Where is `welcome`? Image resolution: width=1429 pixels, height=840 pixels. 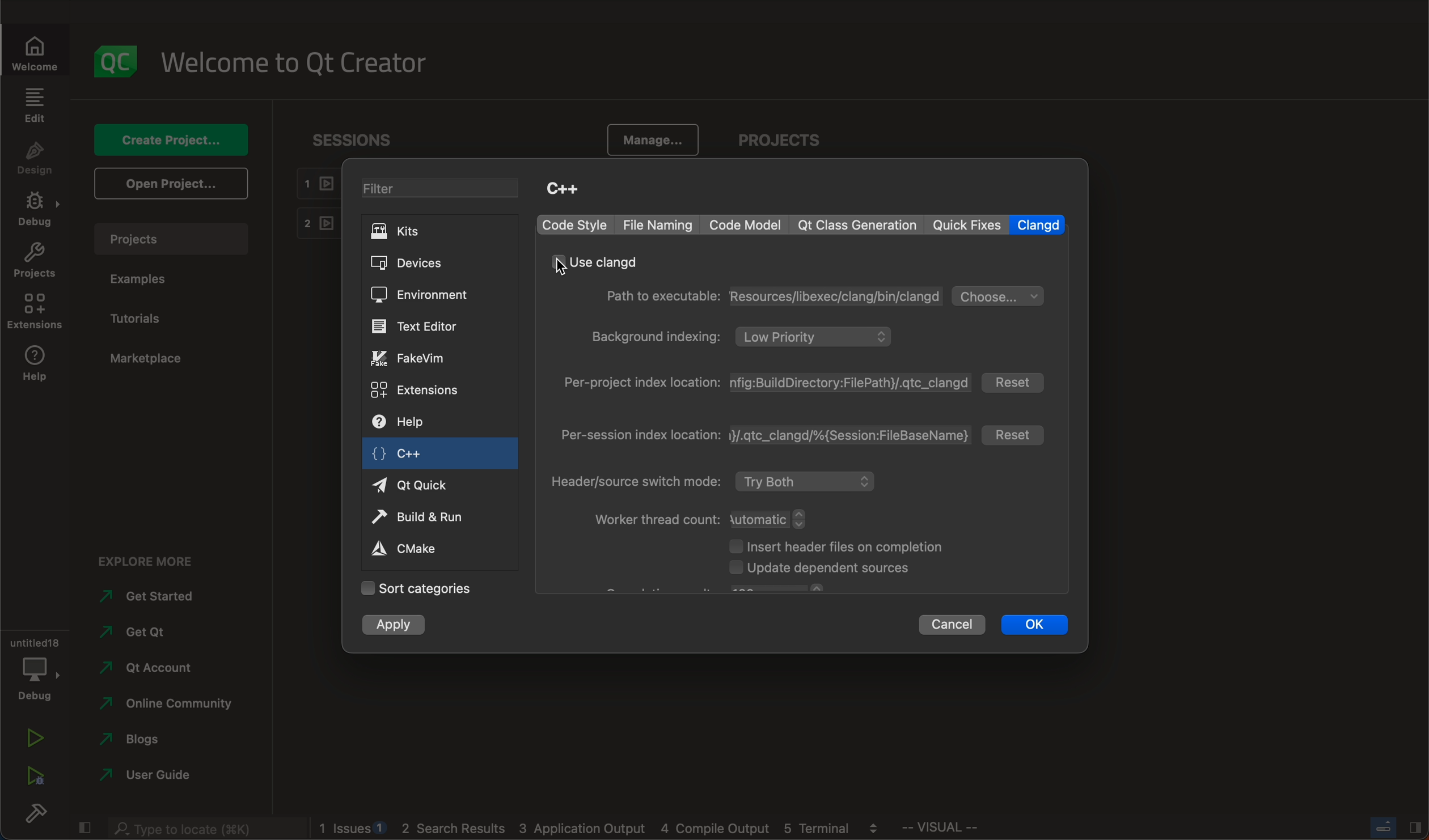
welcome is located at coordinates (31, 54).